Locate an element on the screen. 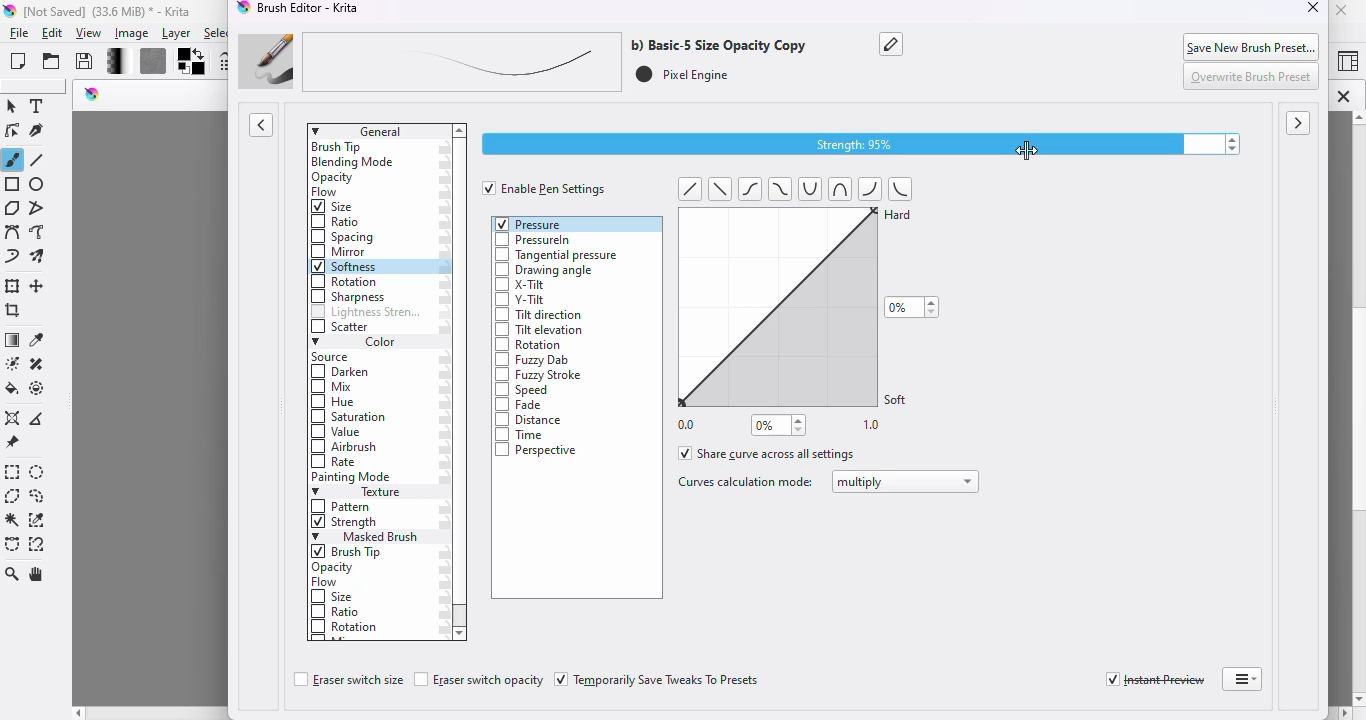 The width and height of the screenshot is (1366, 720). opacity is located at coordinates (336, 568).